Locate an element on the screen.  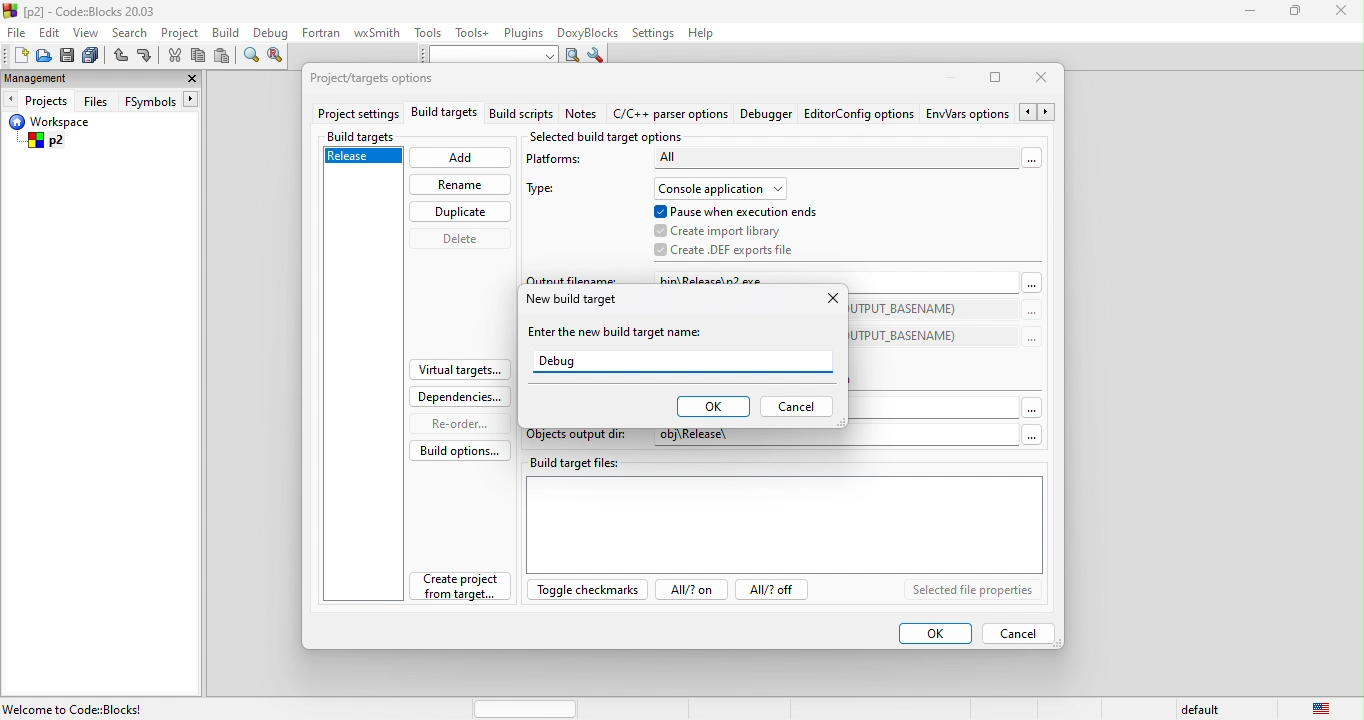
debugger is located at coordinates (768, 113).